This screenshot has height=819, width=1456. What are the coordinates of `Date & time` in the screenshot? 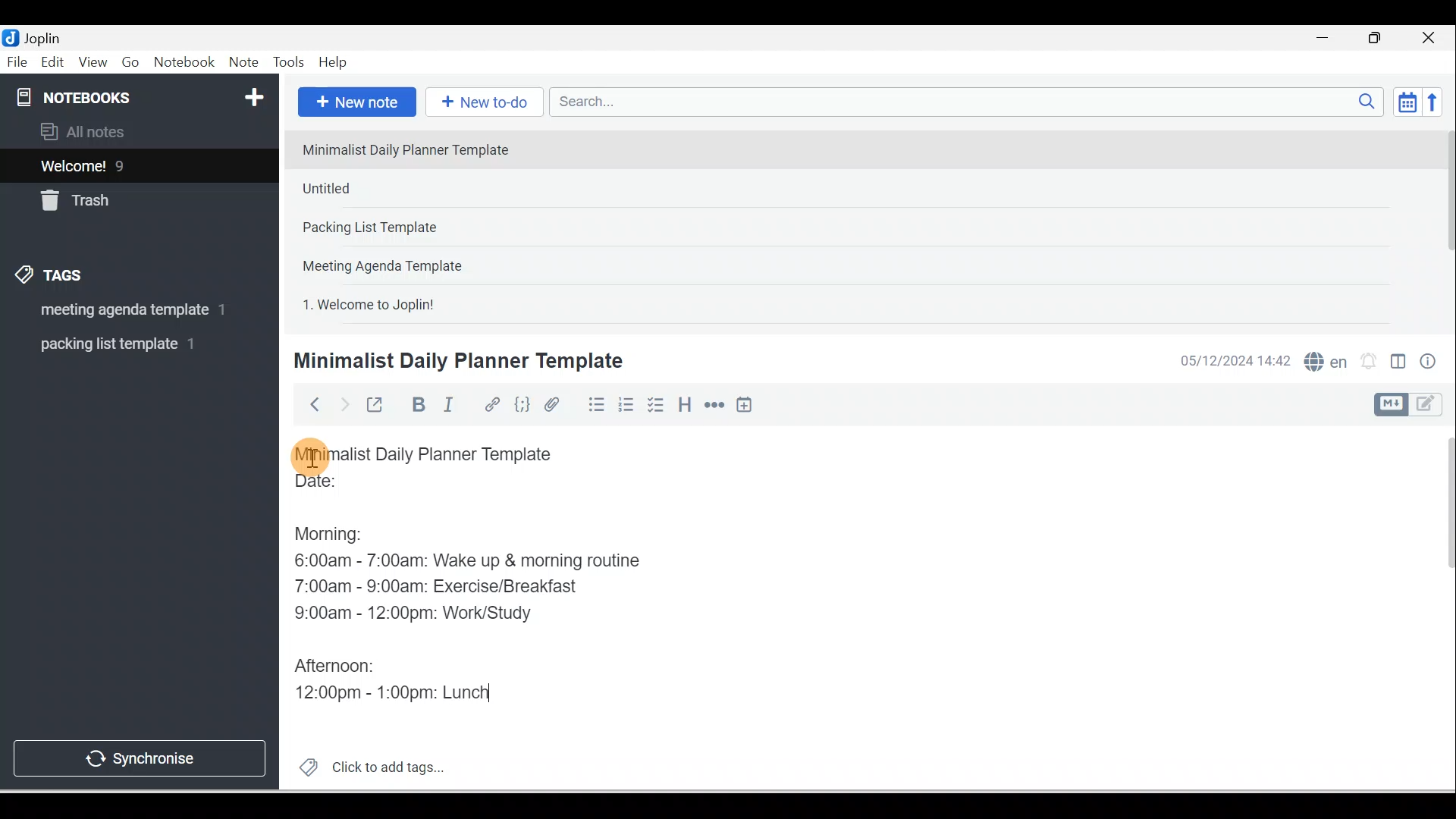 It's located at (1232, 361).